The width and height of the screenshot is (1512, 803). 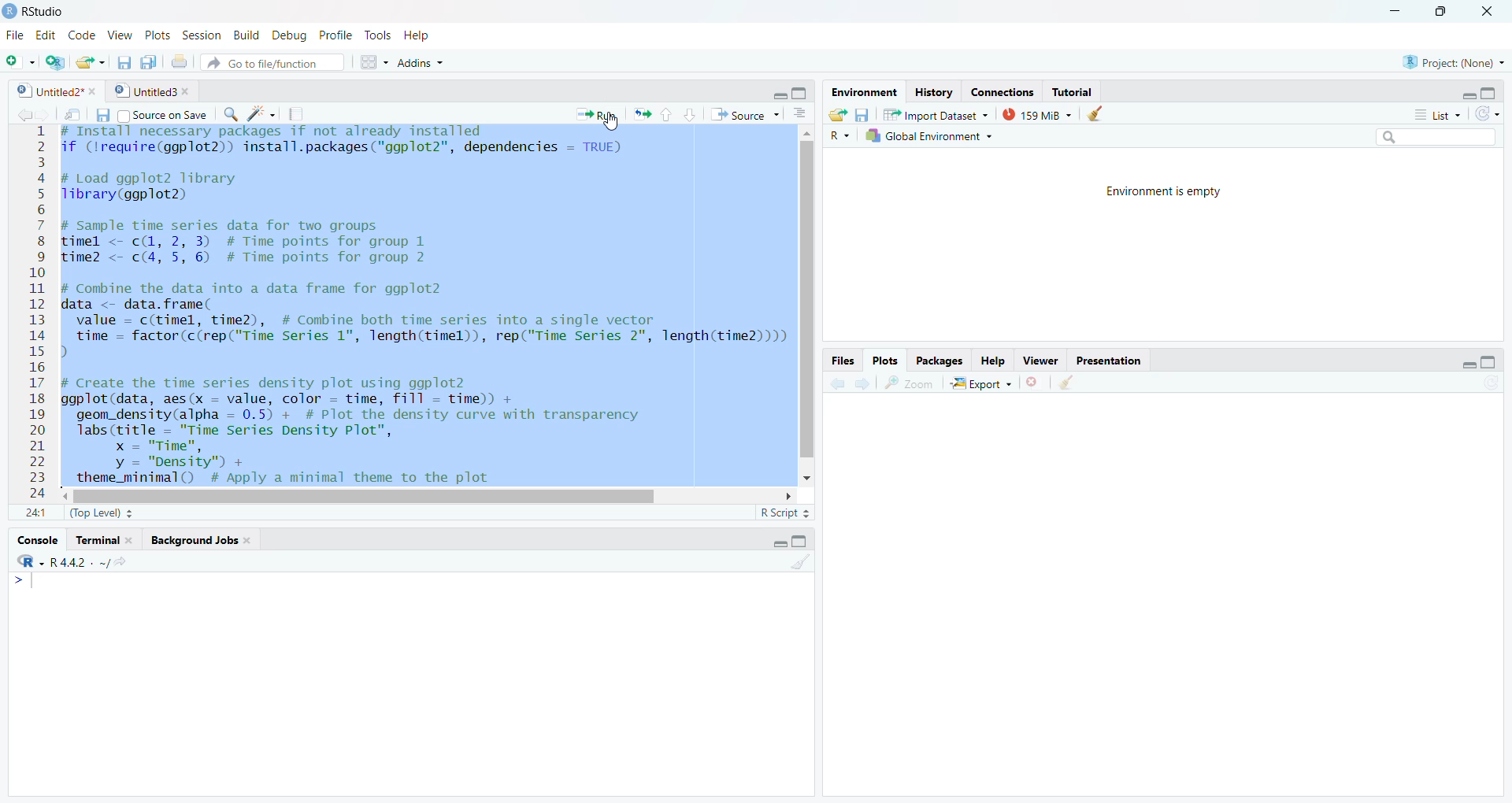 What do you see at coordinates (80, 562) in the screenshot?
I see `R442 . ~/` at bounding box center [80, 562].